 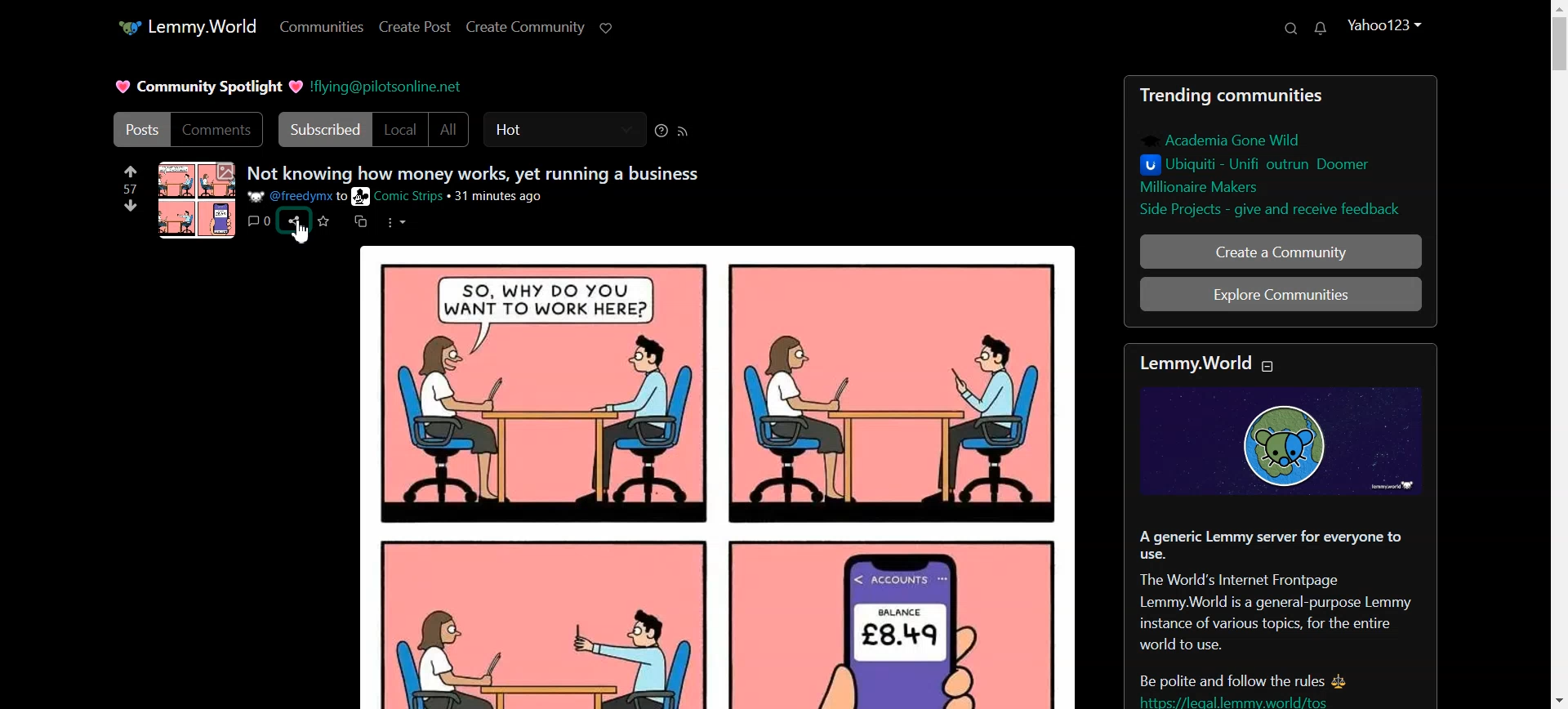 I want to click on lemmy world, so click(x=1192, y=363).